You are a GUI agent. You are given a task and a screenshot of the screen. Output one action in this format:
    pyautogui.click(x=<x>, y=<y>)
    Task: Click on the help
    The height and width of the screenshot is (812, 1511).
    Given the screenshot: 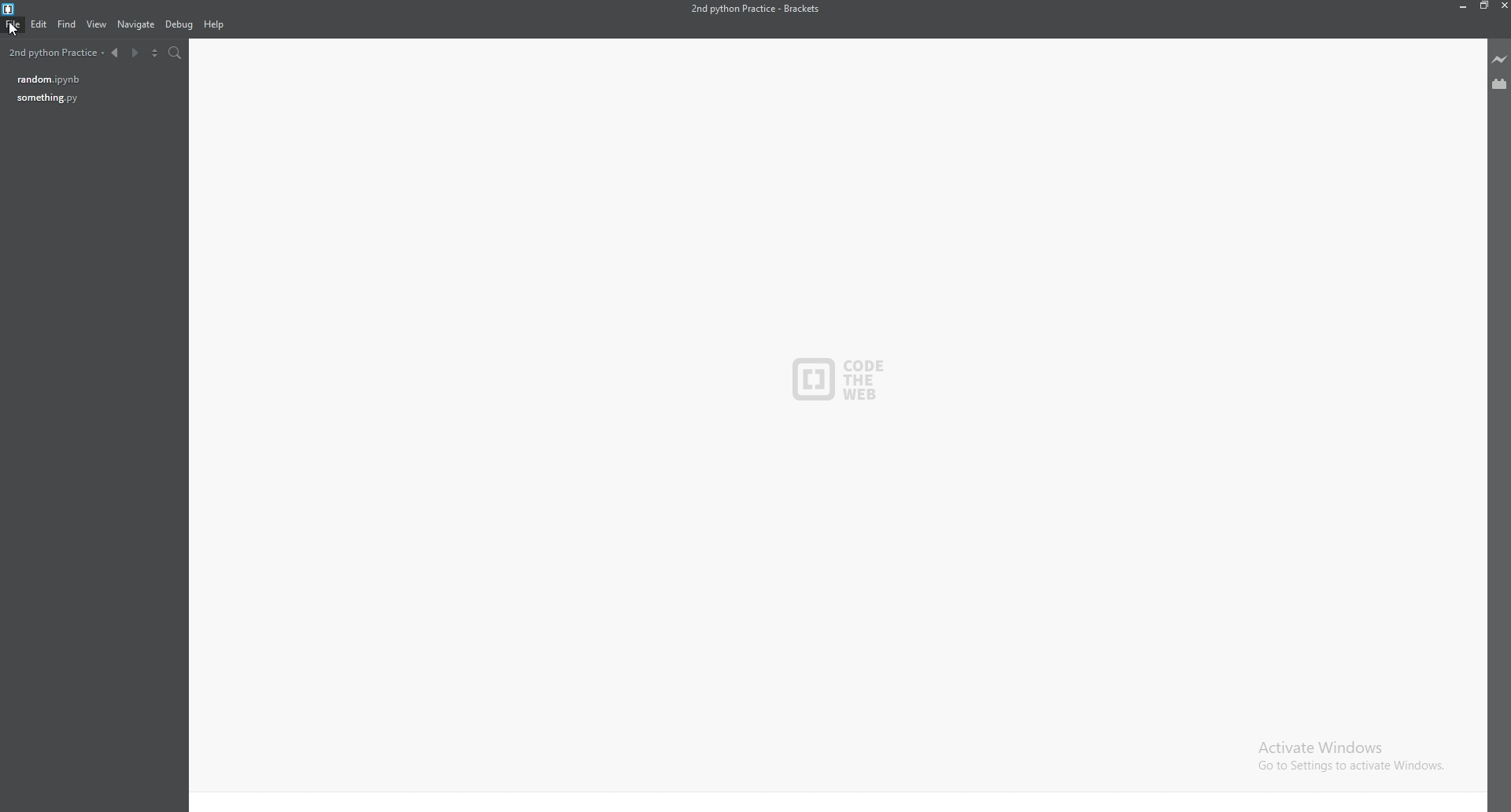 What is the action you would take?
    pyautogui.click(x=216, y=24)
    